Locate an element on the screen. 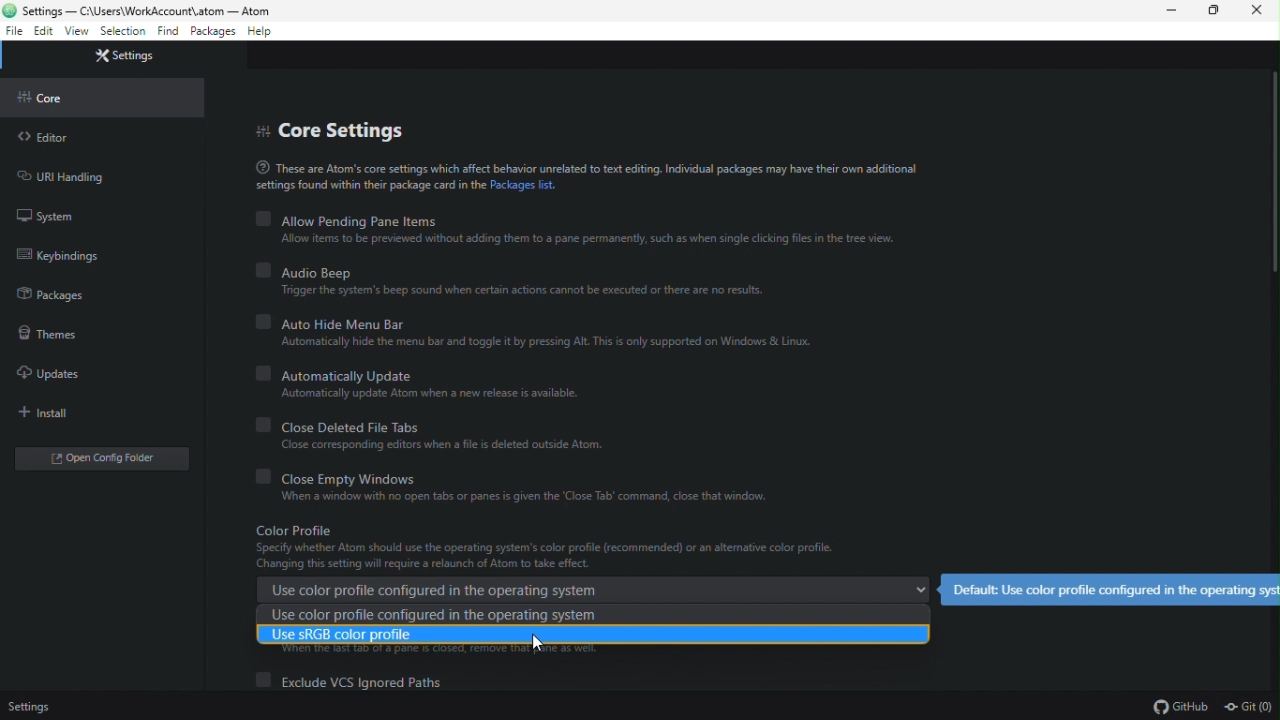 The width and height of the screenshot is (1280, 720). tab info is located at coordinates (432, 654).